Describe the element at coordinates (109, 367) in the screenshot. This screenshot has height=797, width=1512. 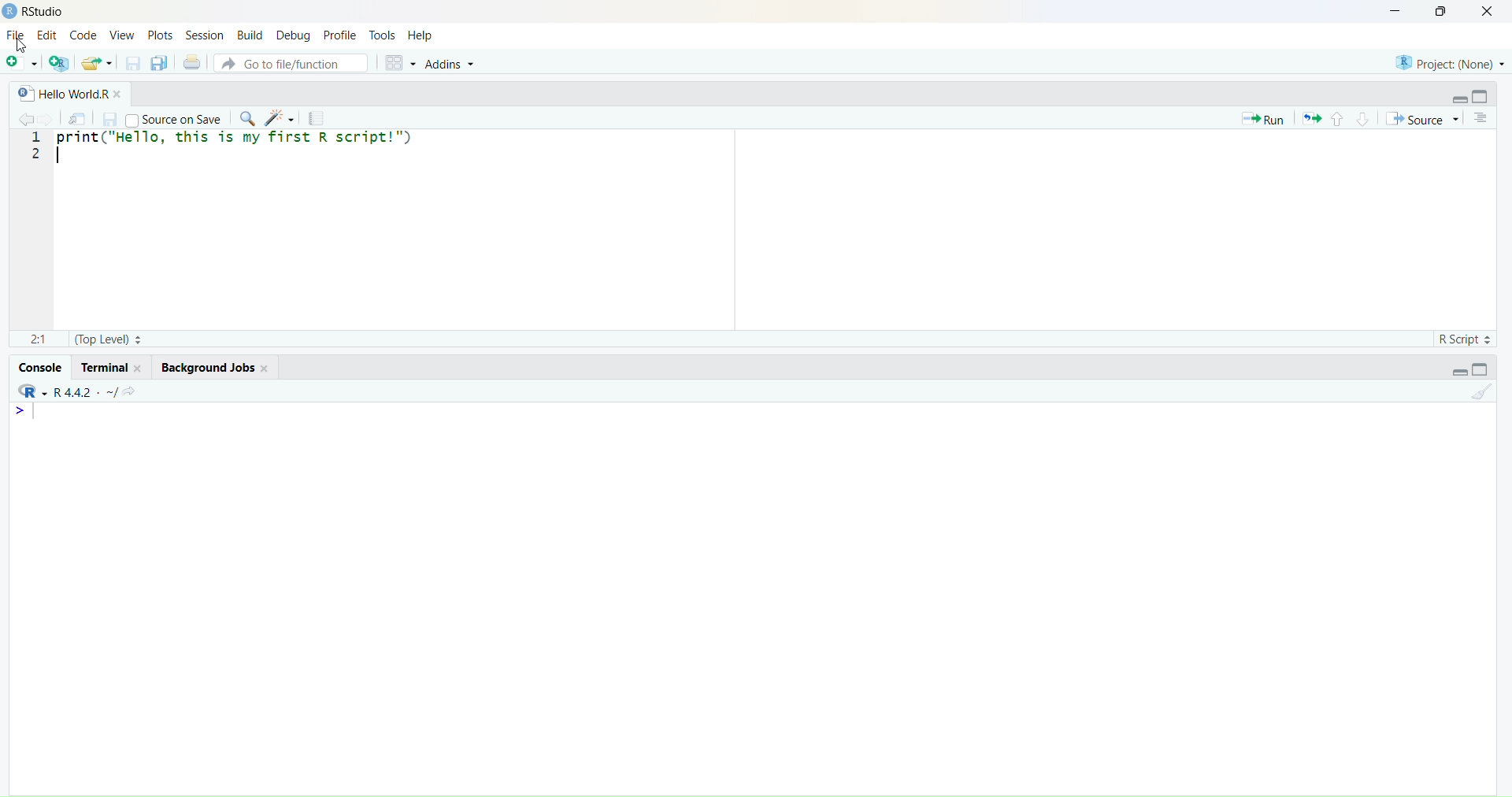
I see `Terminal` at that location.